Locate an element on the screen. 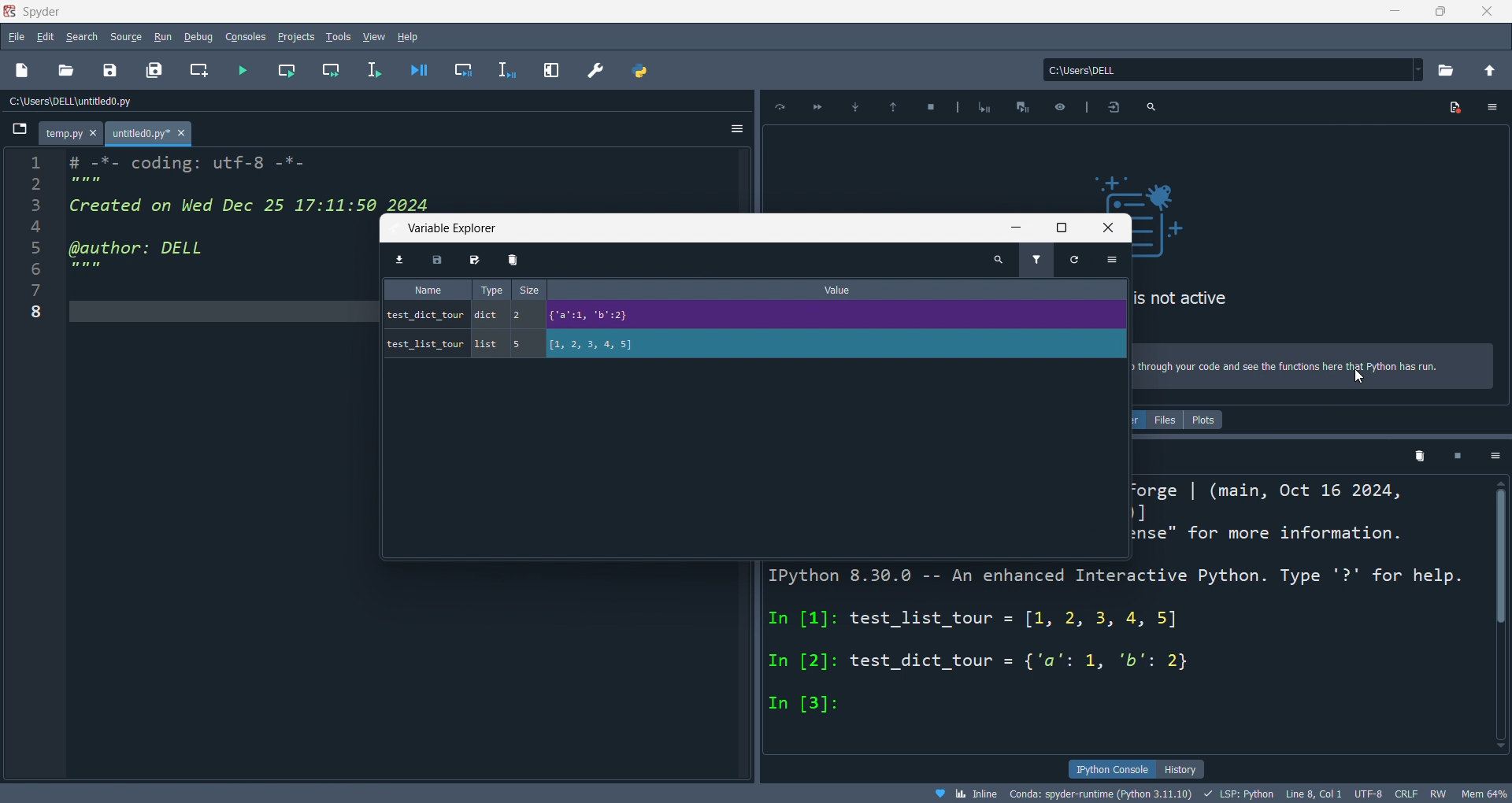 This screenshot has width=1512, height=803. SPYDER is located at coordinates (46, 11).